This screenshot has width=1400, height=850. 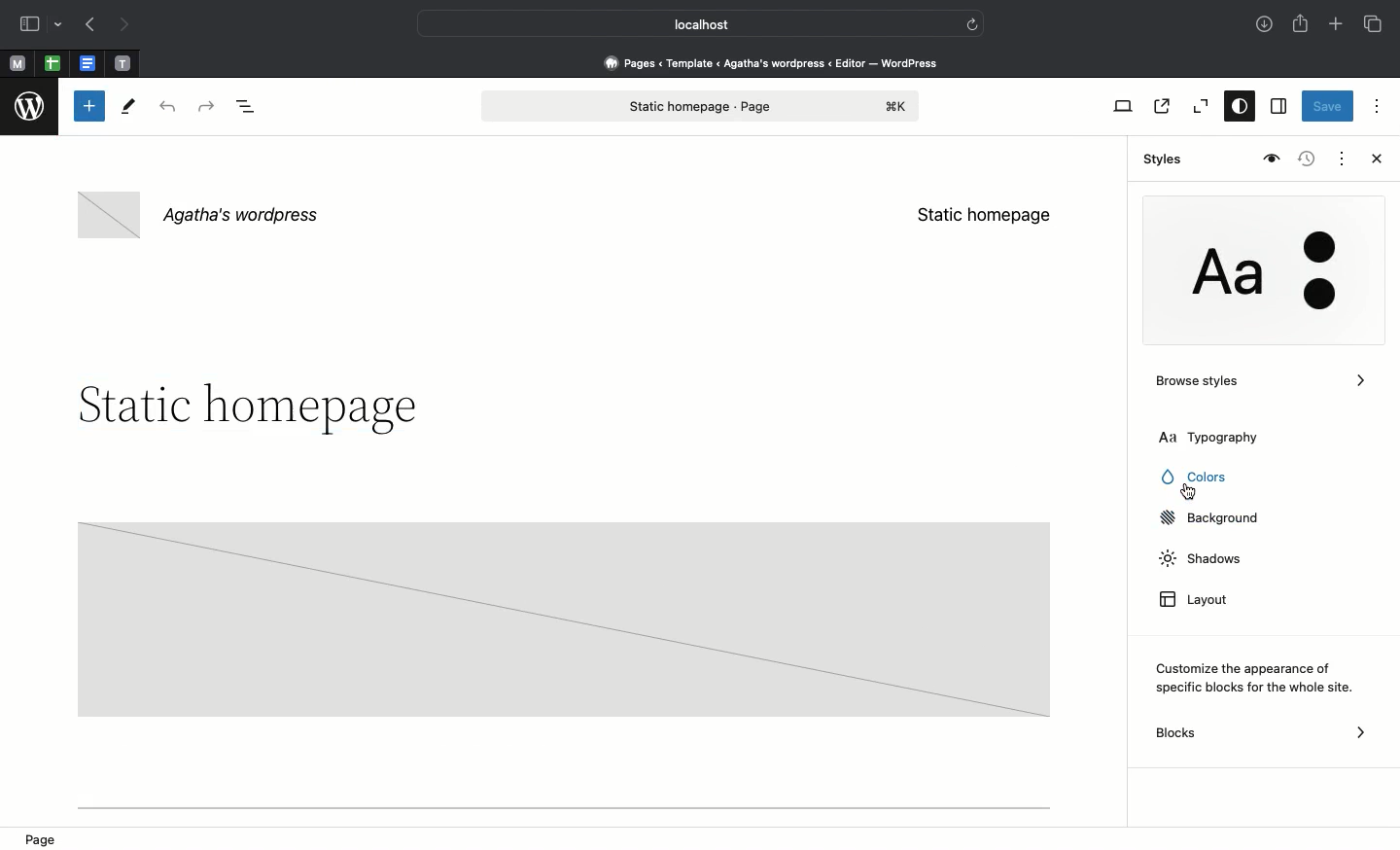 I want to click on Downloads, so click(x=1266, y=26).